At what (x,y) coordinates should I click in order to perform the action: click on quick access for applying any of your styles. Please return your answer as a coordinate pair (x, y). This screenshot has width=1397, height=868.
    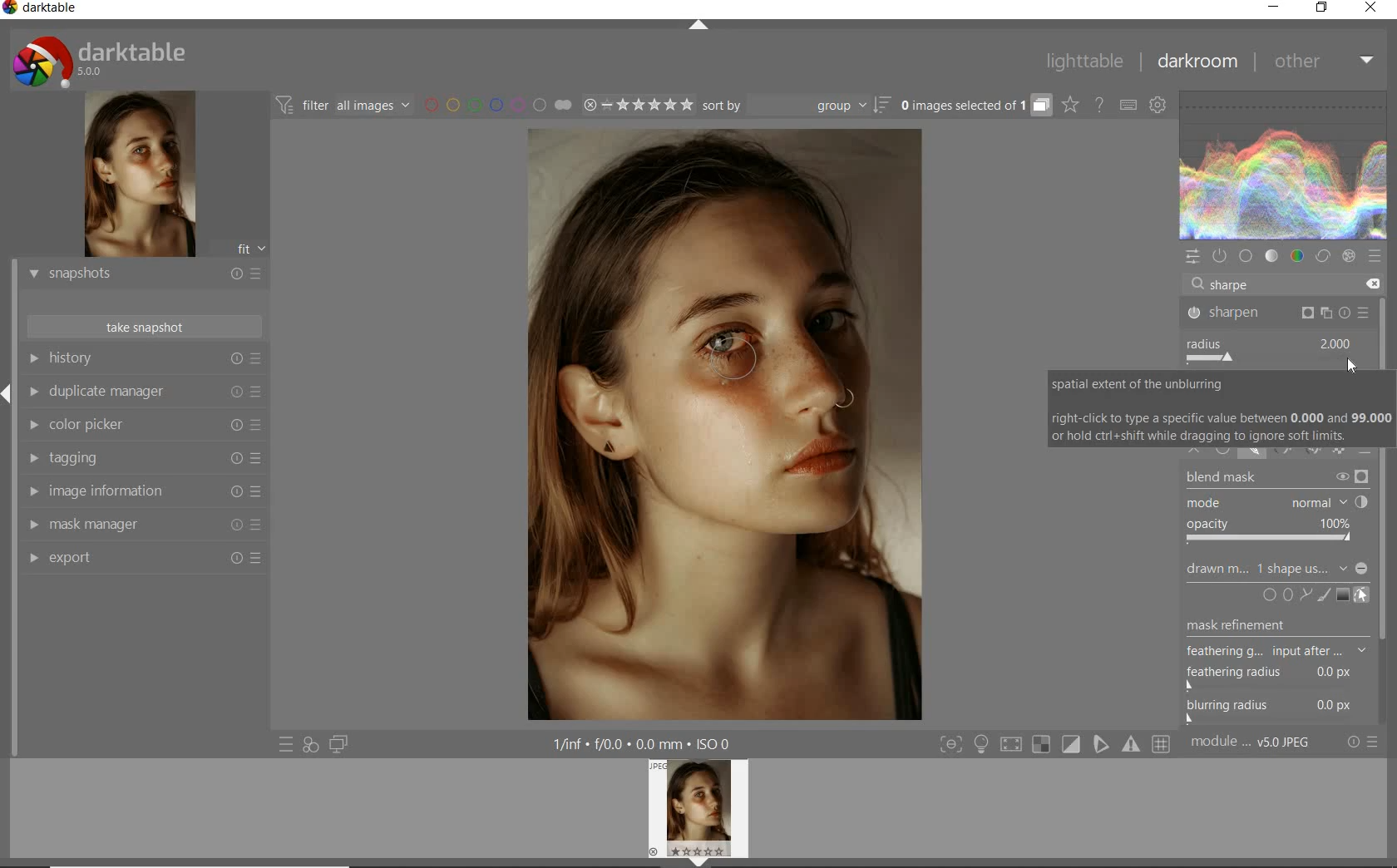
    Looking at the image, I should click on (309, 745).